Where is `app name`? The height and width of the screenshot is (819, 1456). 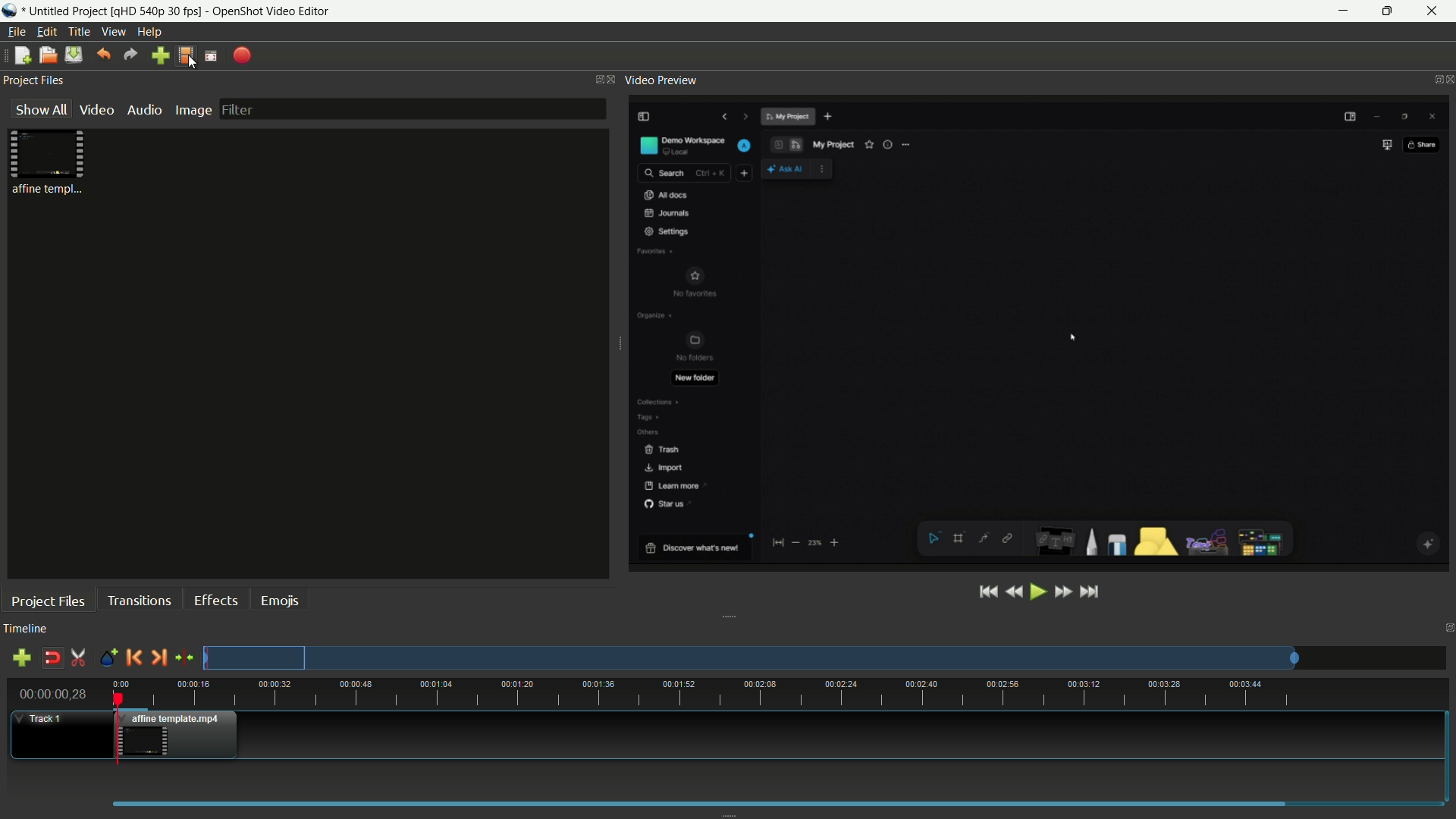
app name is located at coordinates (271, 11).